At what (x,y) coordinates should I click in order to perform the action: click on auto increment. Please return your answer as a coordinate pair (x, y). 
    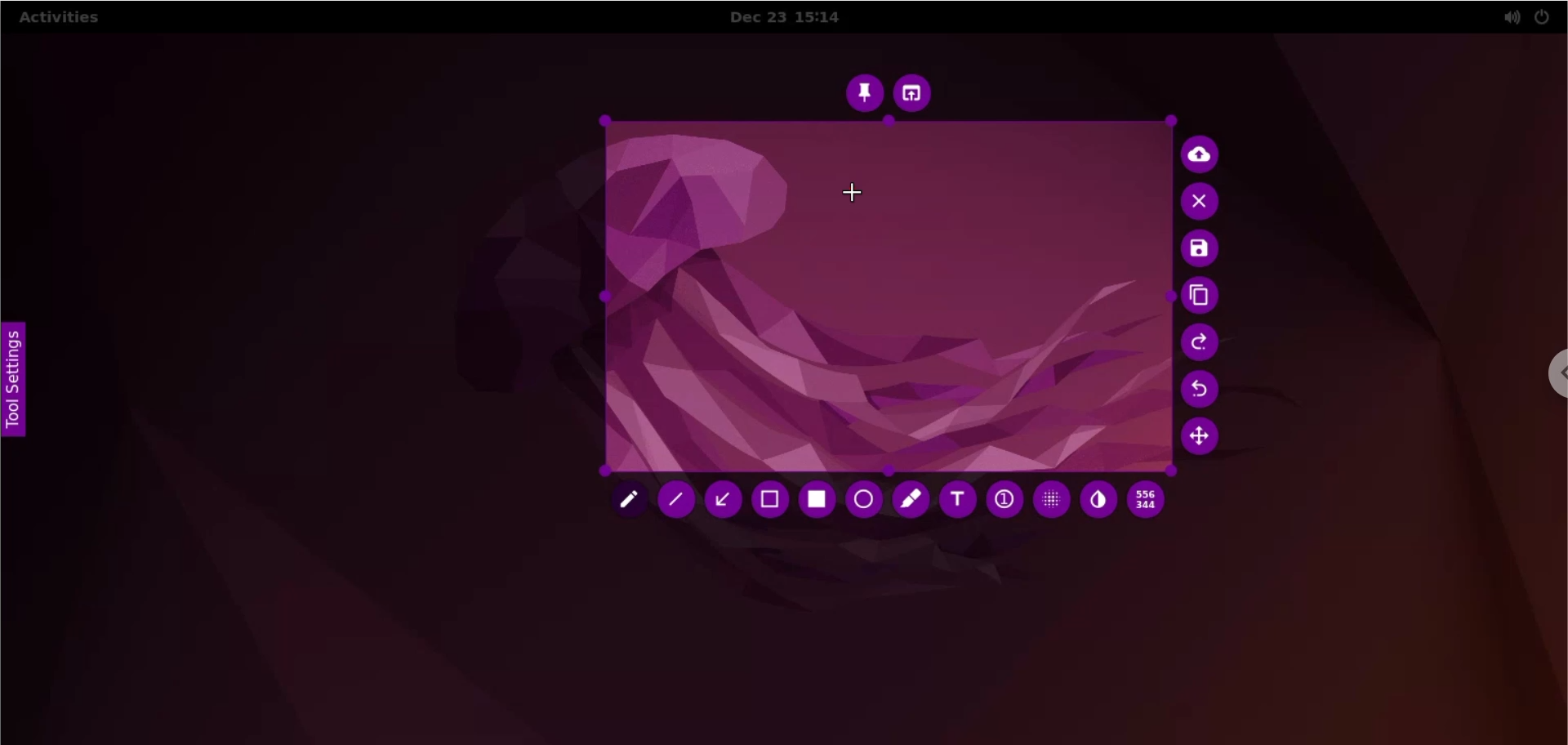
    Looking at the image, I should click on (1004, 499).